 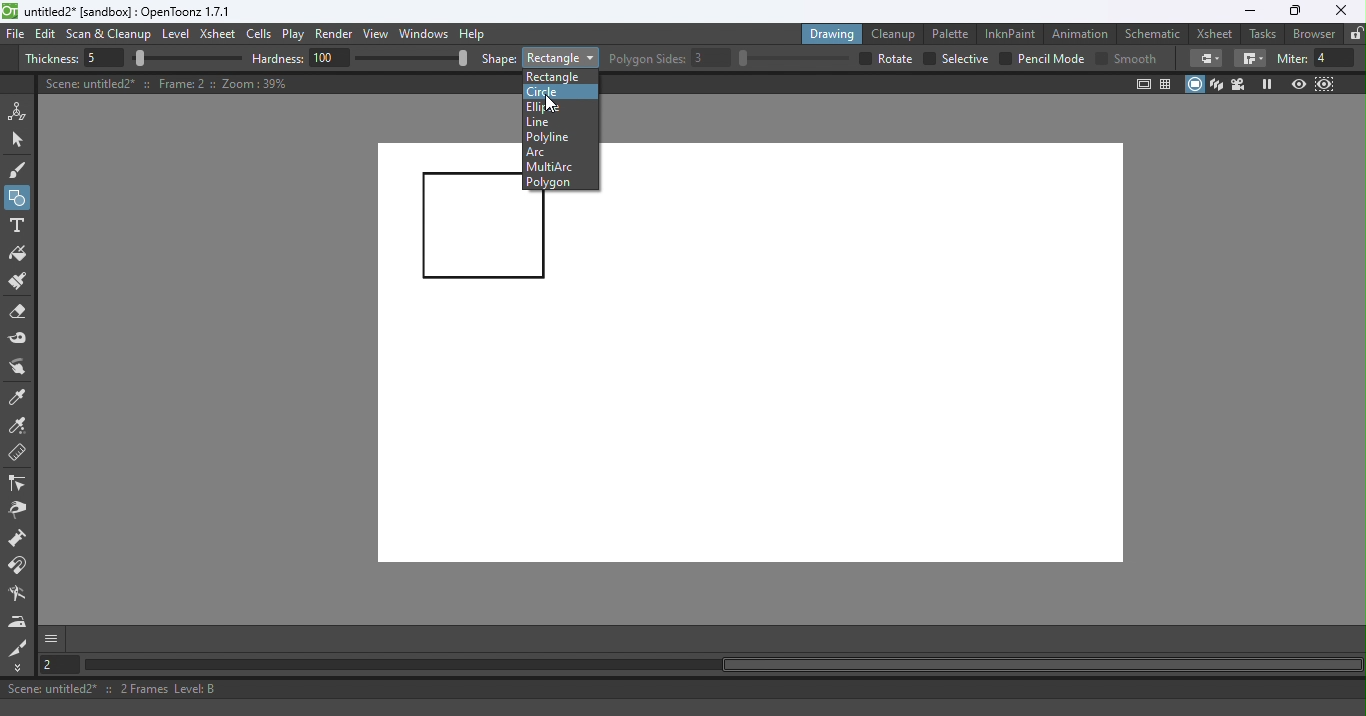 What do you see at coordinates (722, 665) in the screenshot?
I see `Horizontal scroll bar` at bounding box center [722, 665].